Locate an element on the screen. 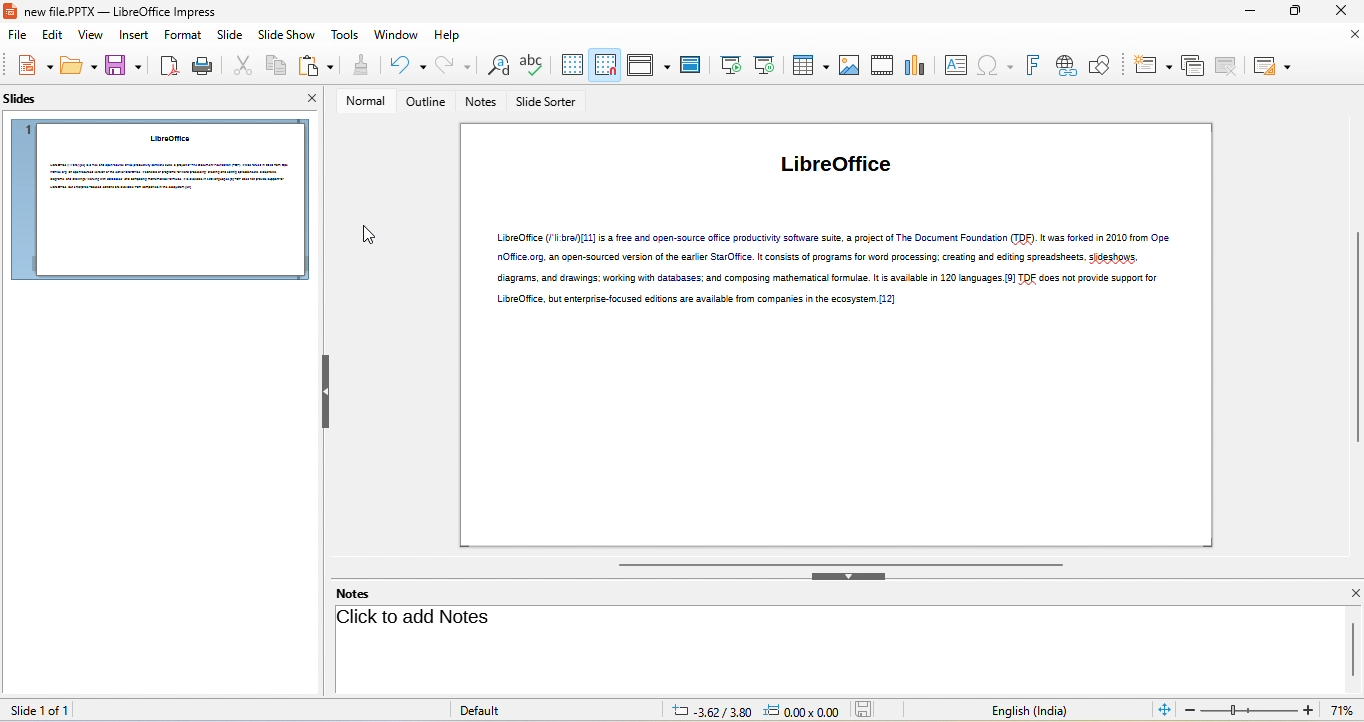  tools is located at coordinates (347, 36).